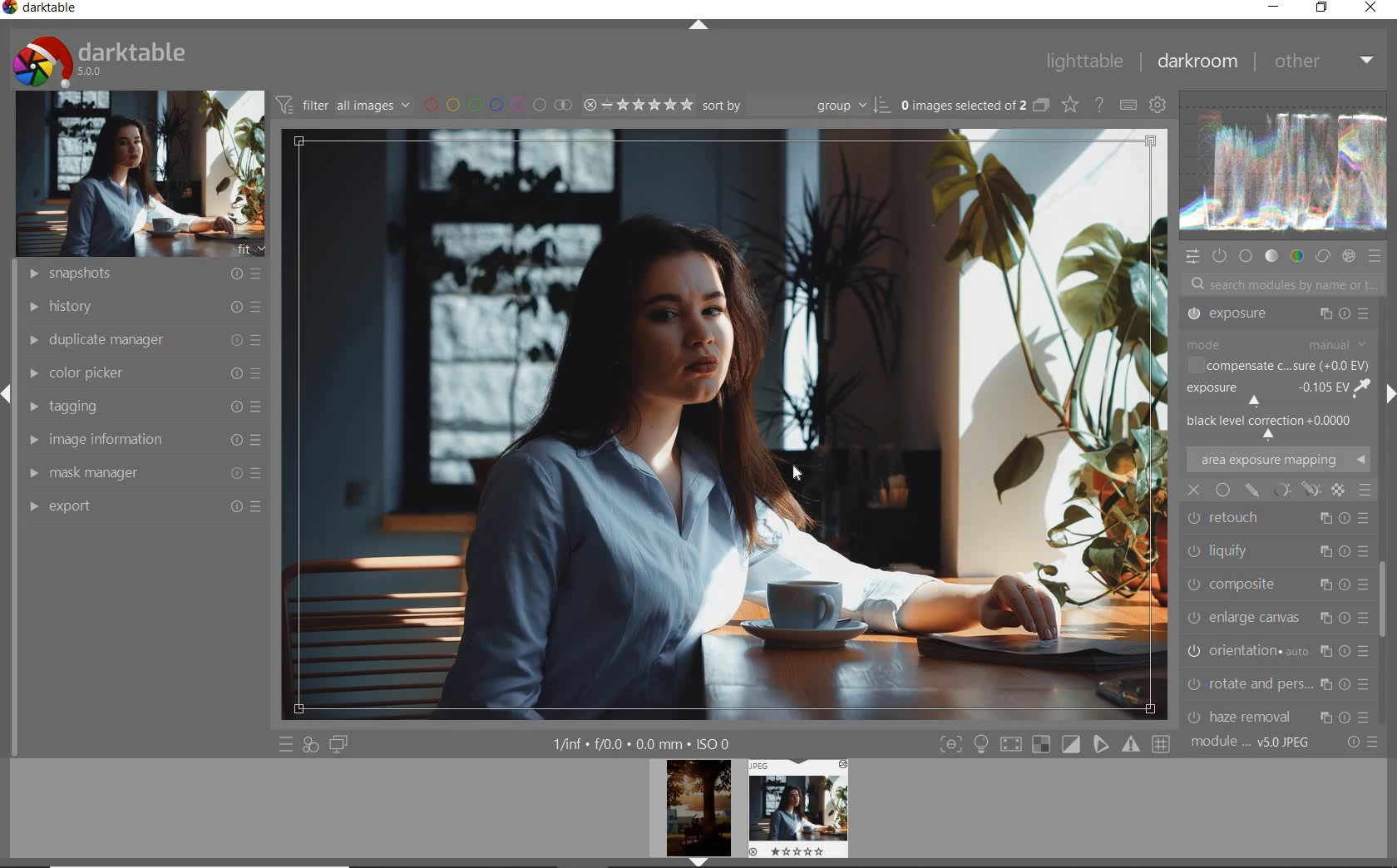 The height and width of the screenshot is (868, 1397). What do you see at coordinates (1376, 257) in the screenshot?
I see `PRESET` at bounding box center [1376, 257].